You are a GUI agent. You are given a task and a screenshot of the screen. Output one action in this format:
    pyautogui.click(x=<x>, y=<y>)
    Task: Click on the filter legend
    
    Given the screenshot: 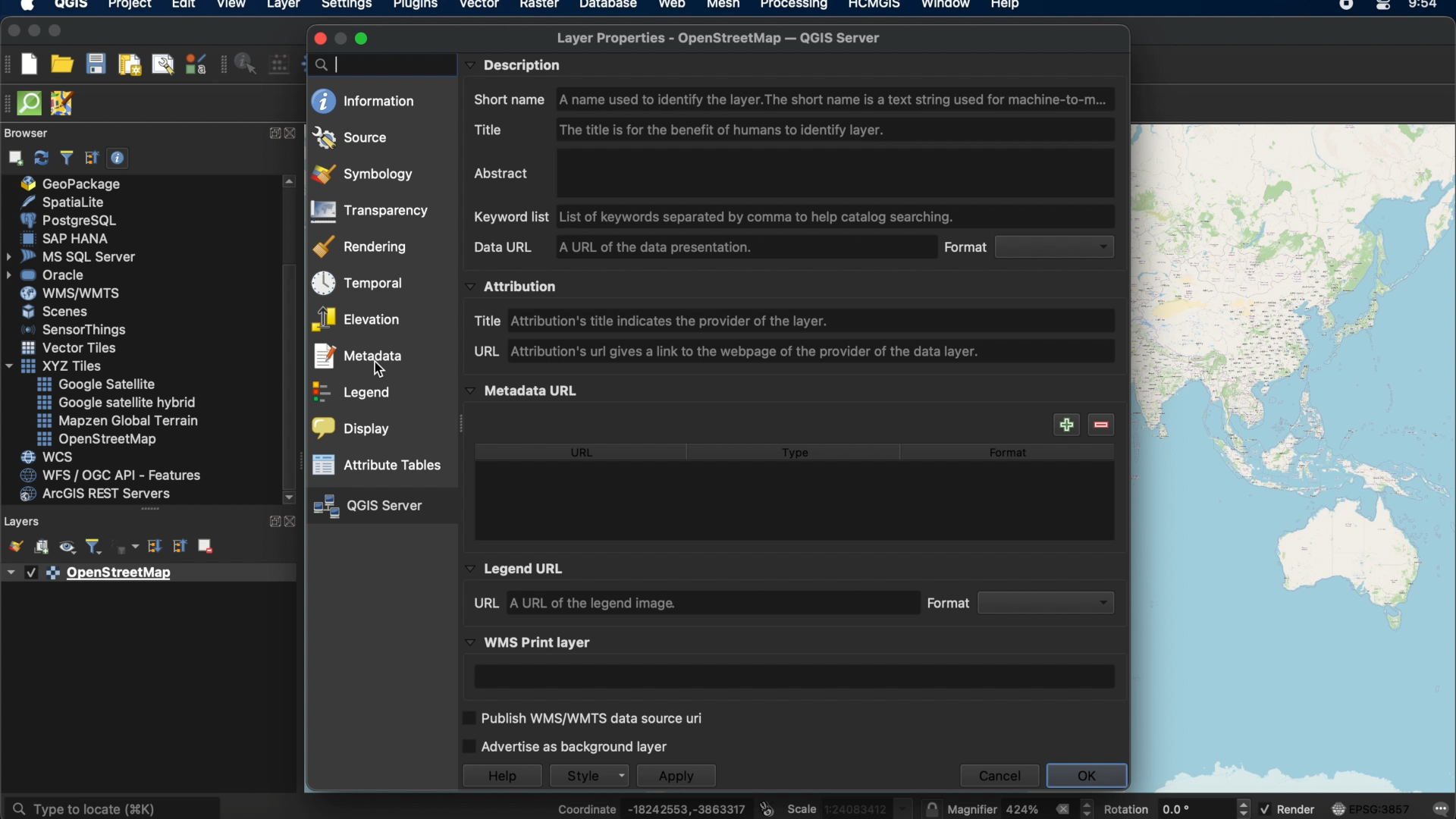 What is the action you would take?
    pyautogui.click(x=93, y=547)
    